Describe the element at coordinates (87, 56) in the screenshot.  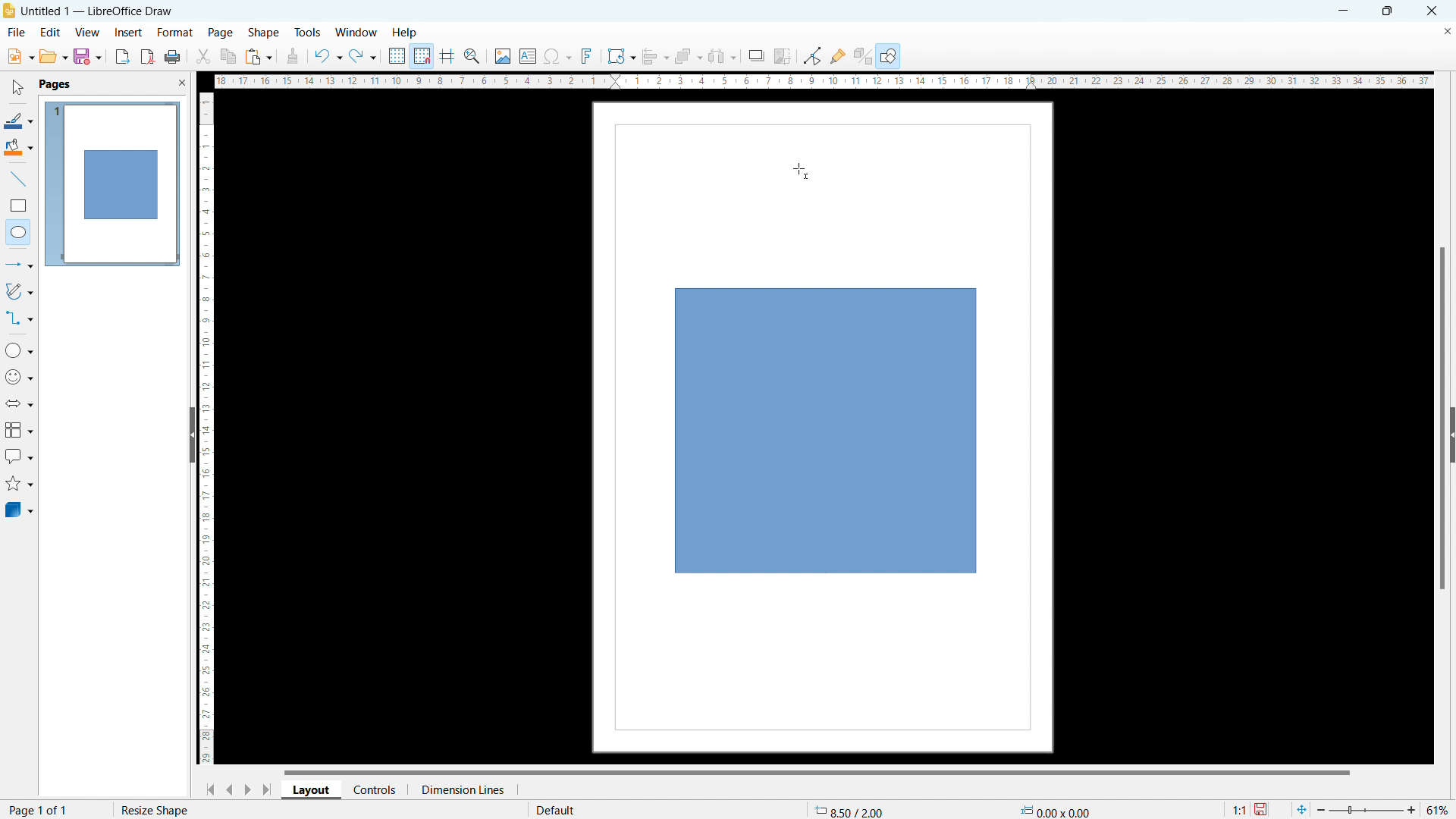
I see `save` at that location.